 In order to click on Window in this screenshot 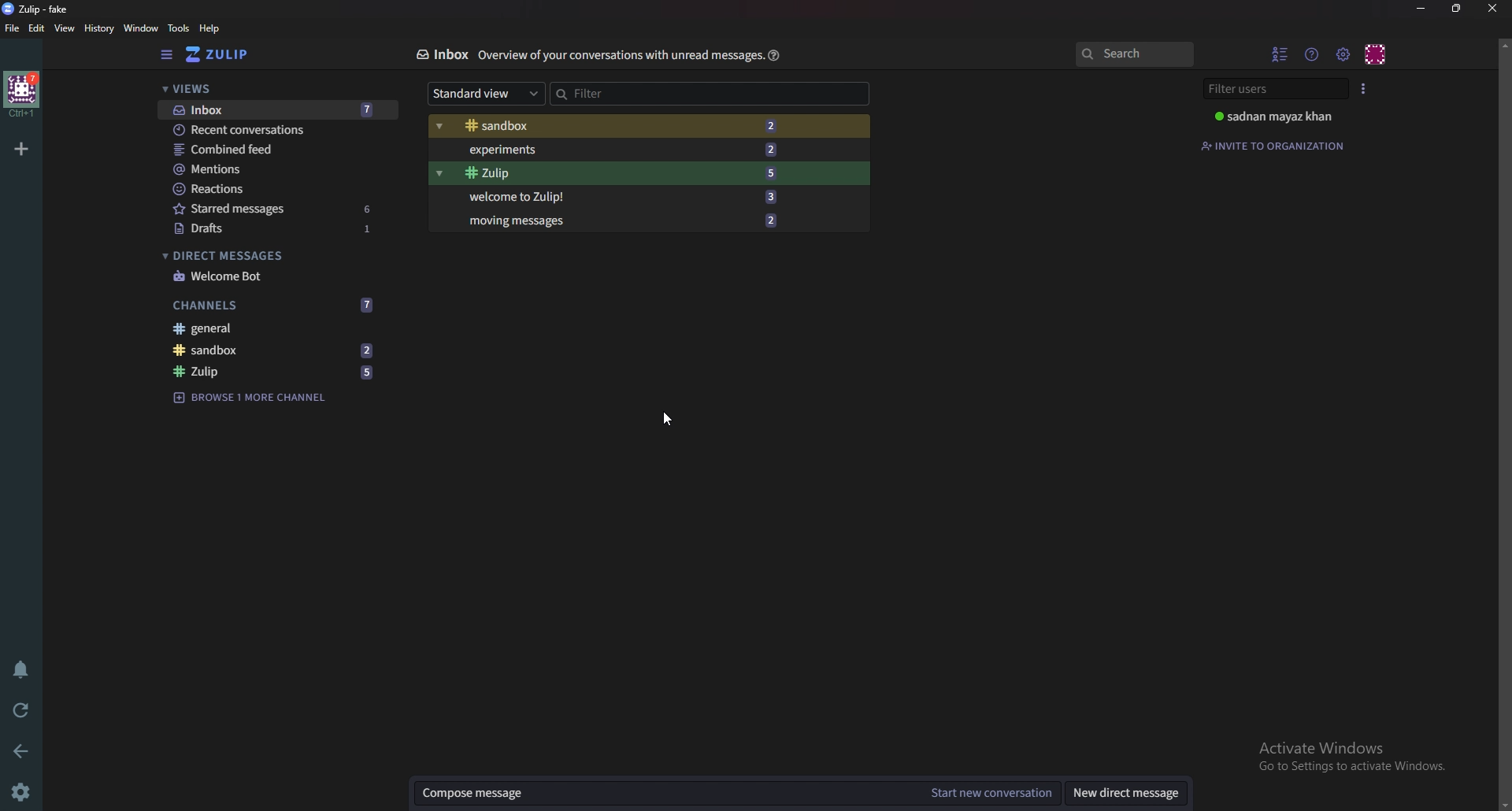, I will do `click(143, 28)`.